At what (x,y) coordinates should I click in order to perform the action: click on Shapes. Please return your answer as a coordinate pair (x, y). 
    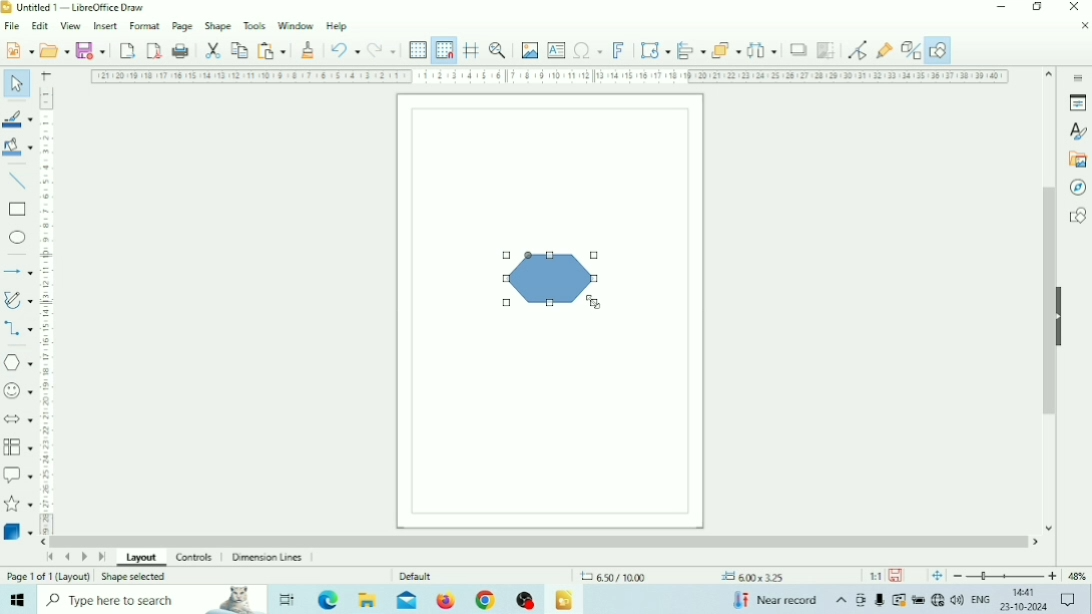
    Looking at the image, I should click on (1077, 215).